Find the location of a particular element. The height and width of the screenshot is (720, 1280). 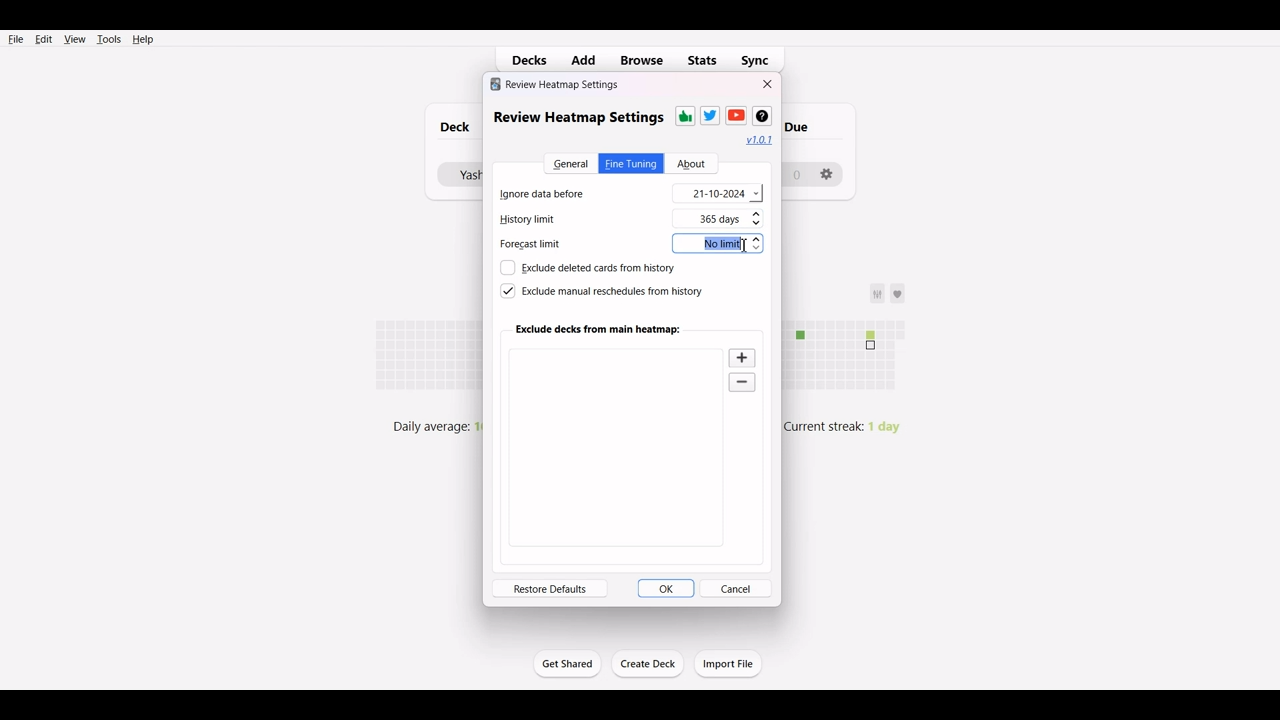

365 days is located at coordinates (733, 219).